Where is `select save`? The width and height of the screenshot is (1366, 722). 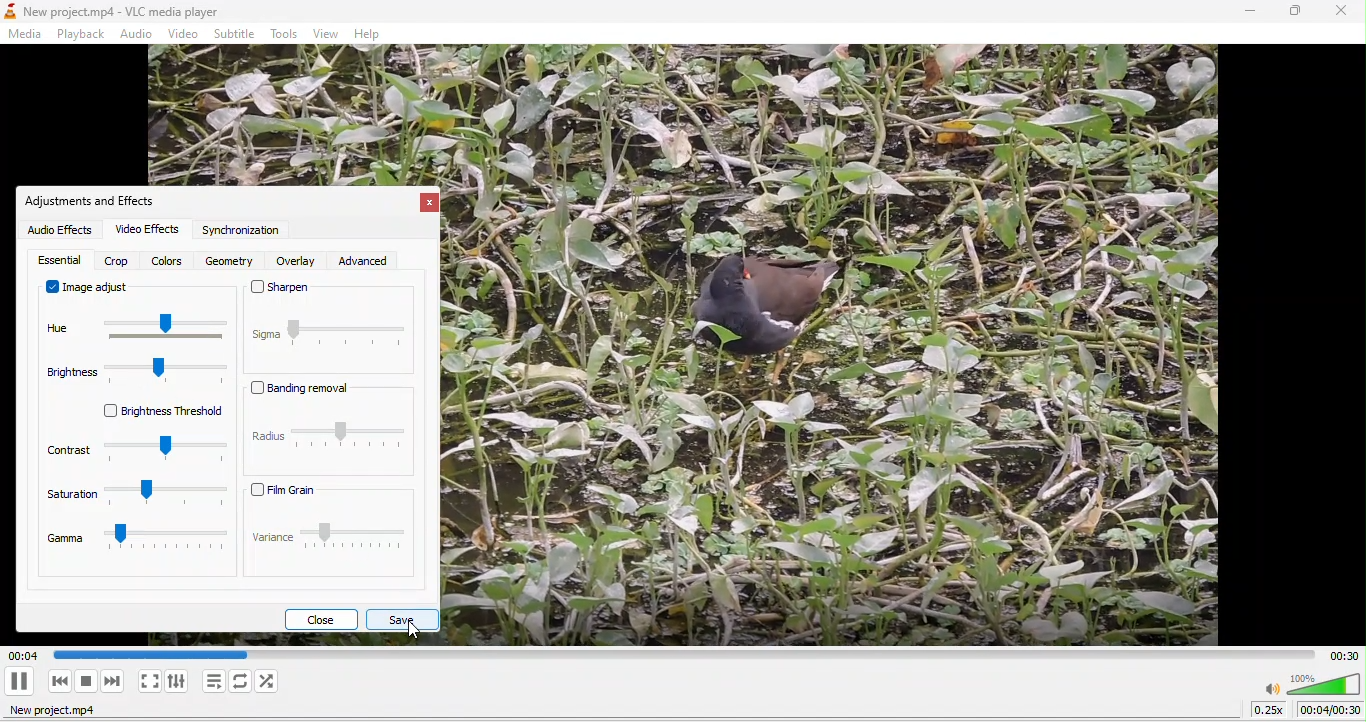
select save is located at coordinates (403, 619).